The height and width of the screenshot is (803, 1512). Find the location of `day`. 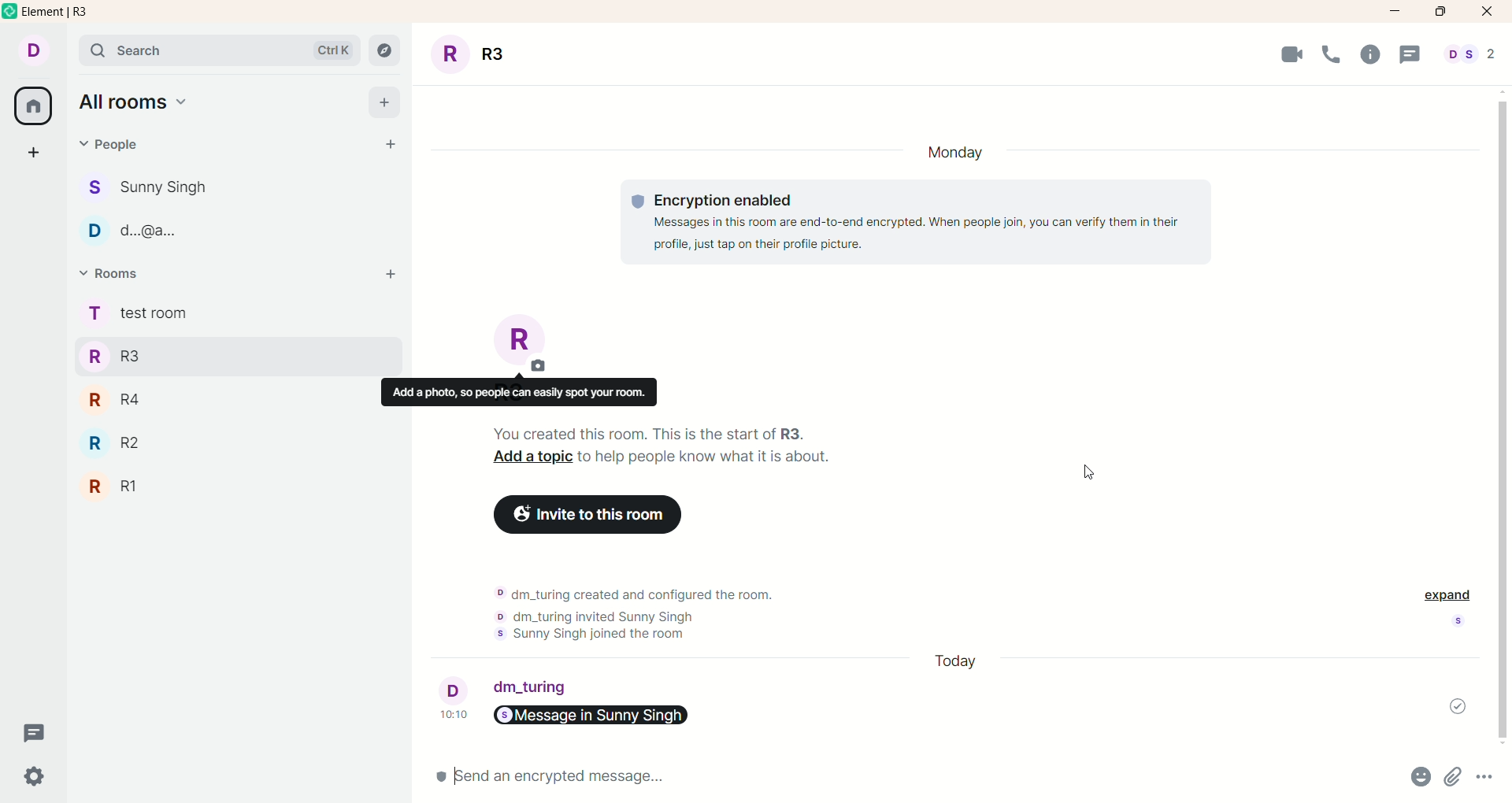

day is located at coordinates (953, 660).